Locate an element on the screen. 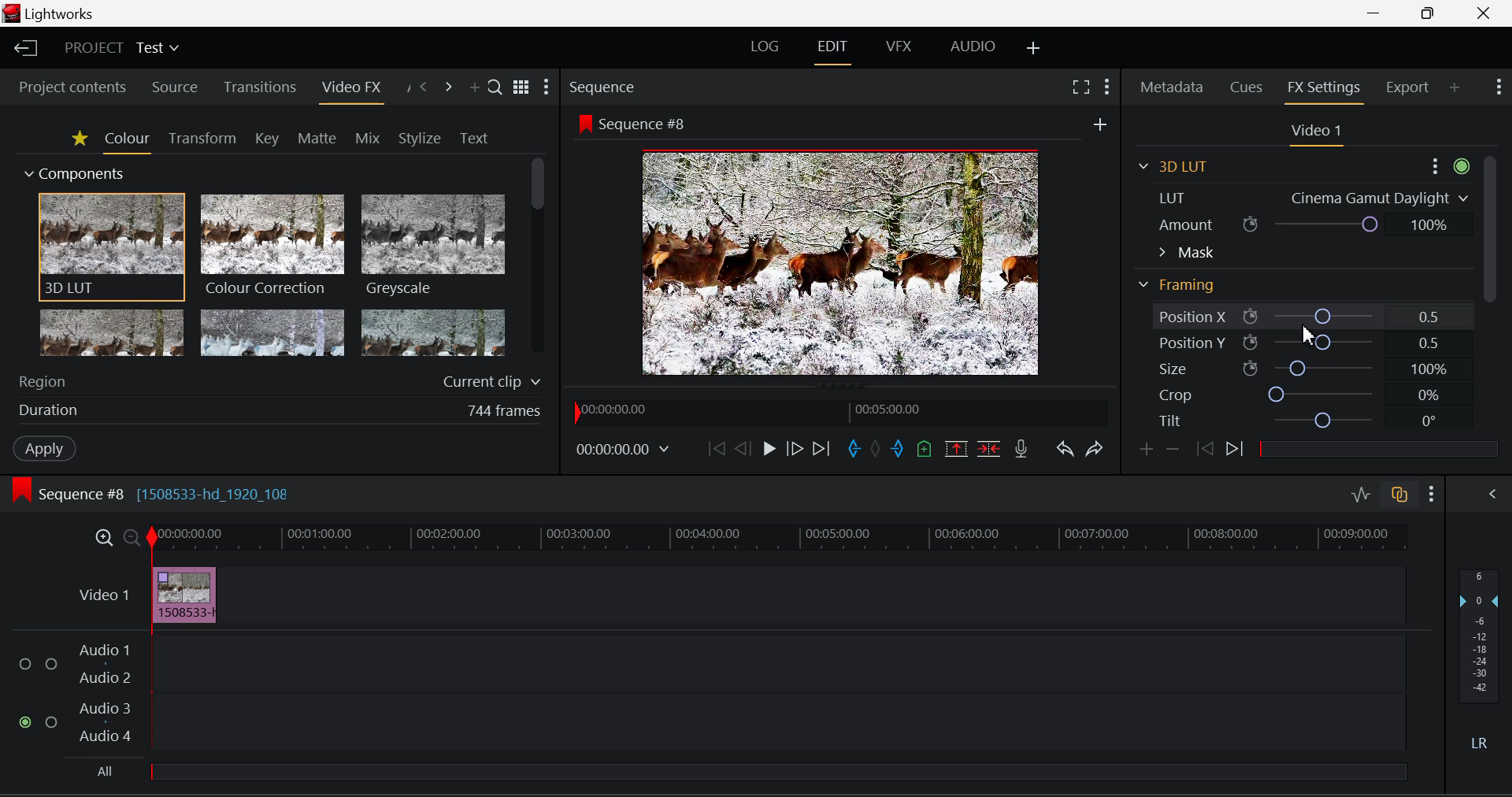 The height and width of the screenshot is (797, 1512). Video Settings is located at coordinates (1320, 135).